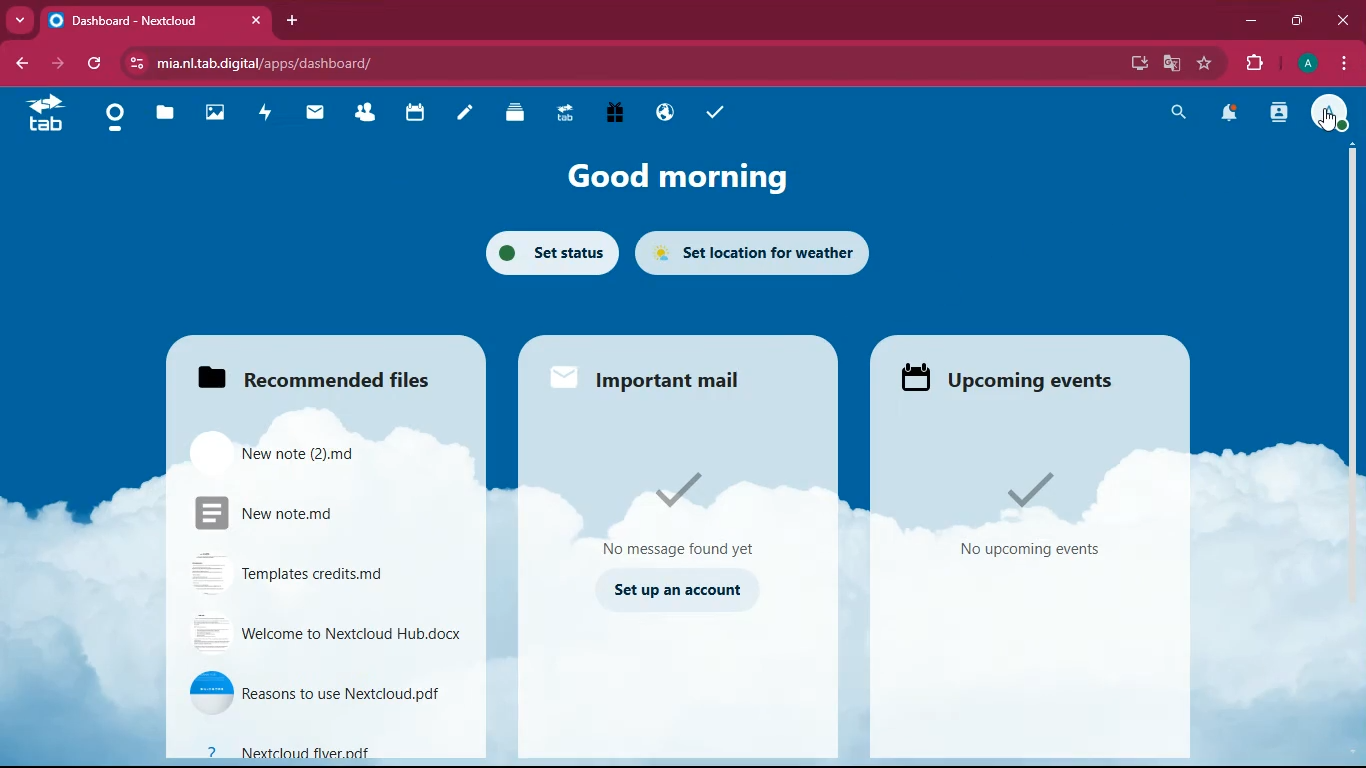  Describe the element at coordinates (441, 61) in the screenshot. I see `url` at that location.